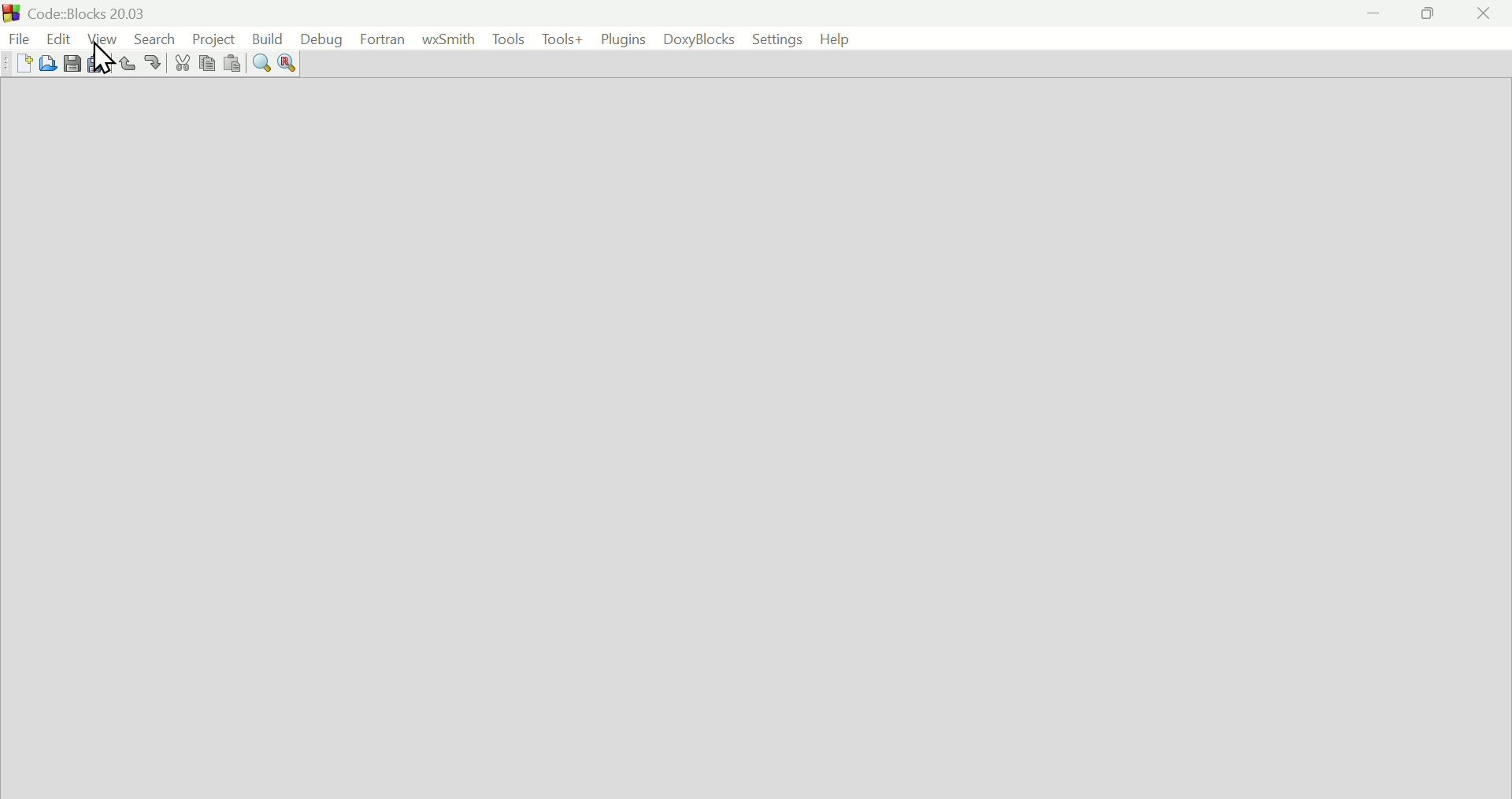  I want to click on Build, so click(264, 40).